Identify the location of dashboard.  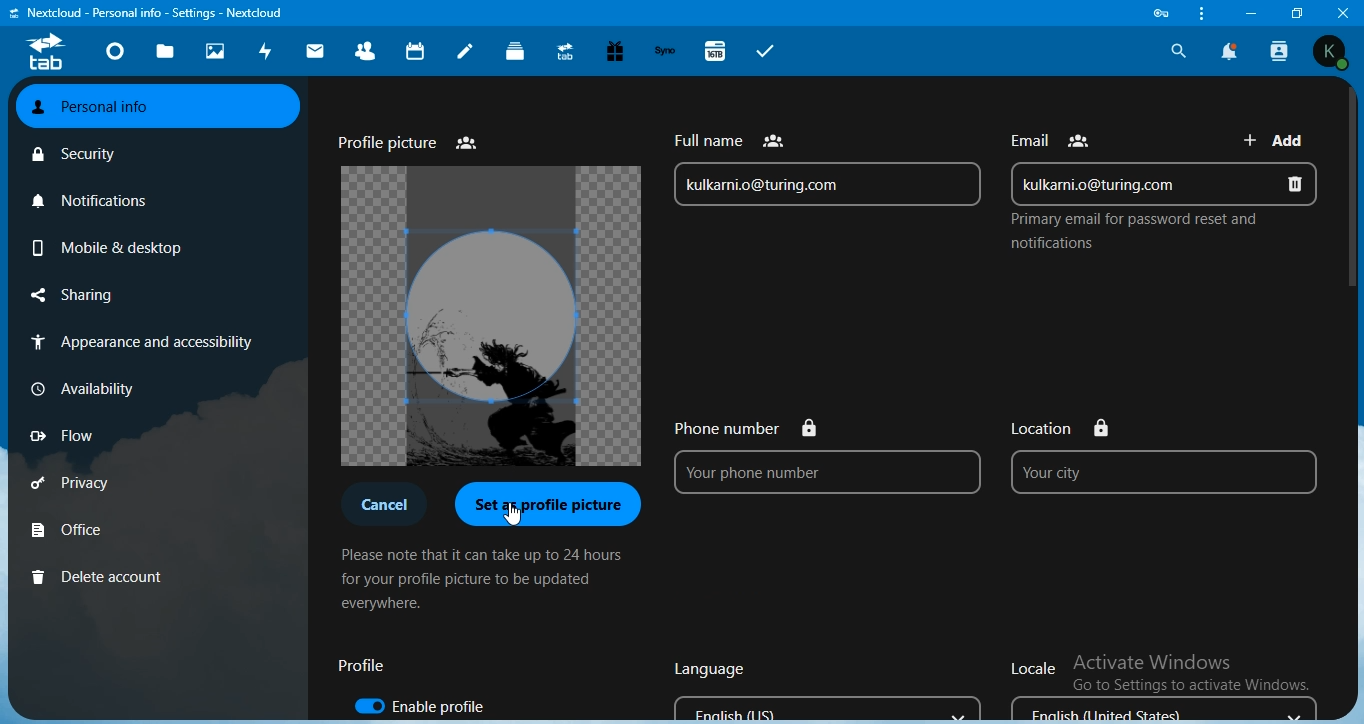
(113, 53).